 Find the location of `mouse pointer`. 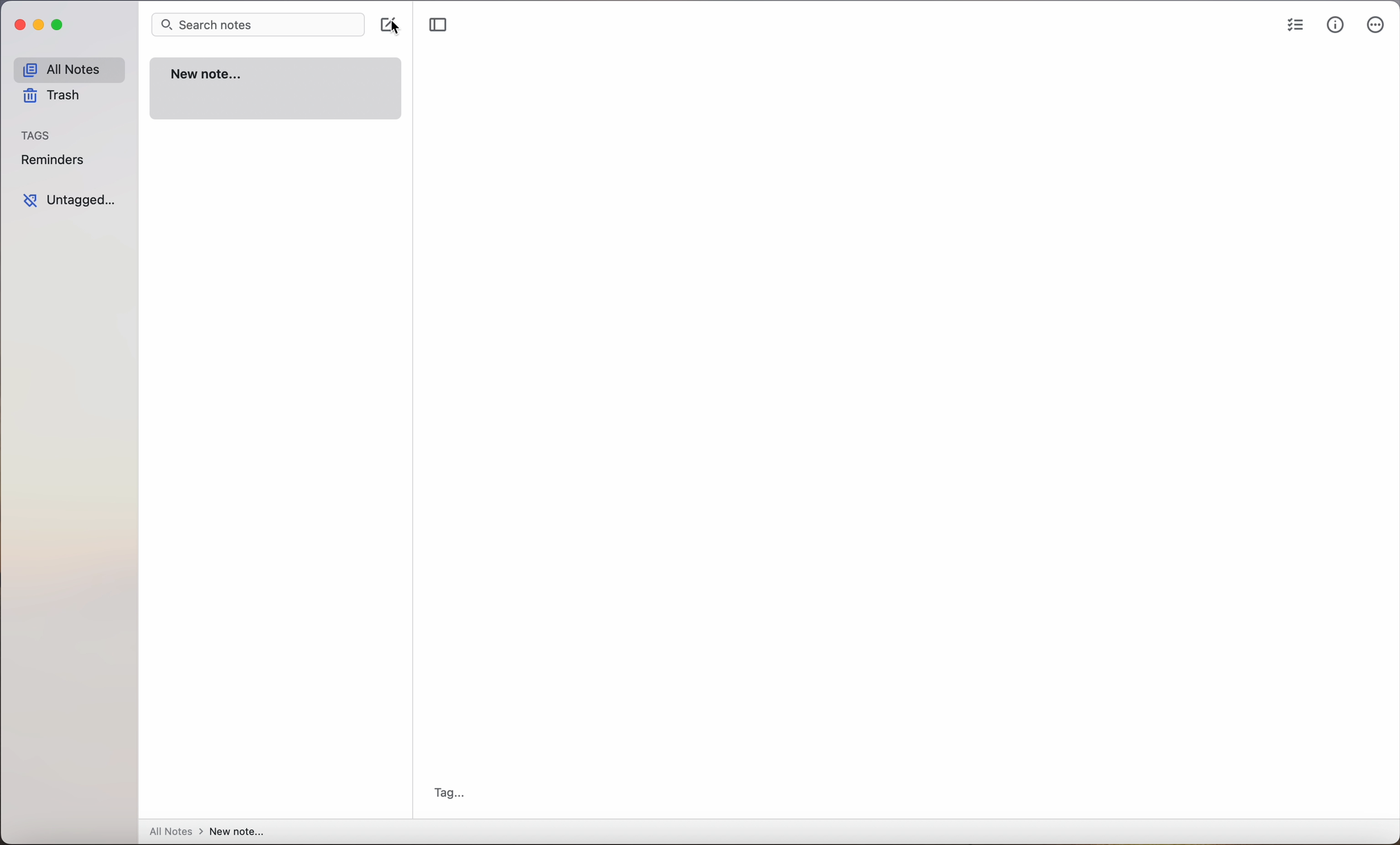

mouse pointer is located at coordinates (396, 28).